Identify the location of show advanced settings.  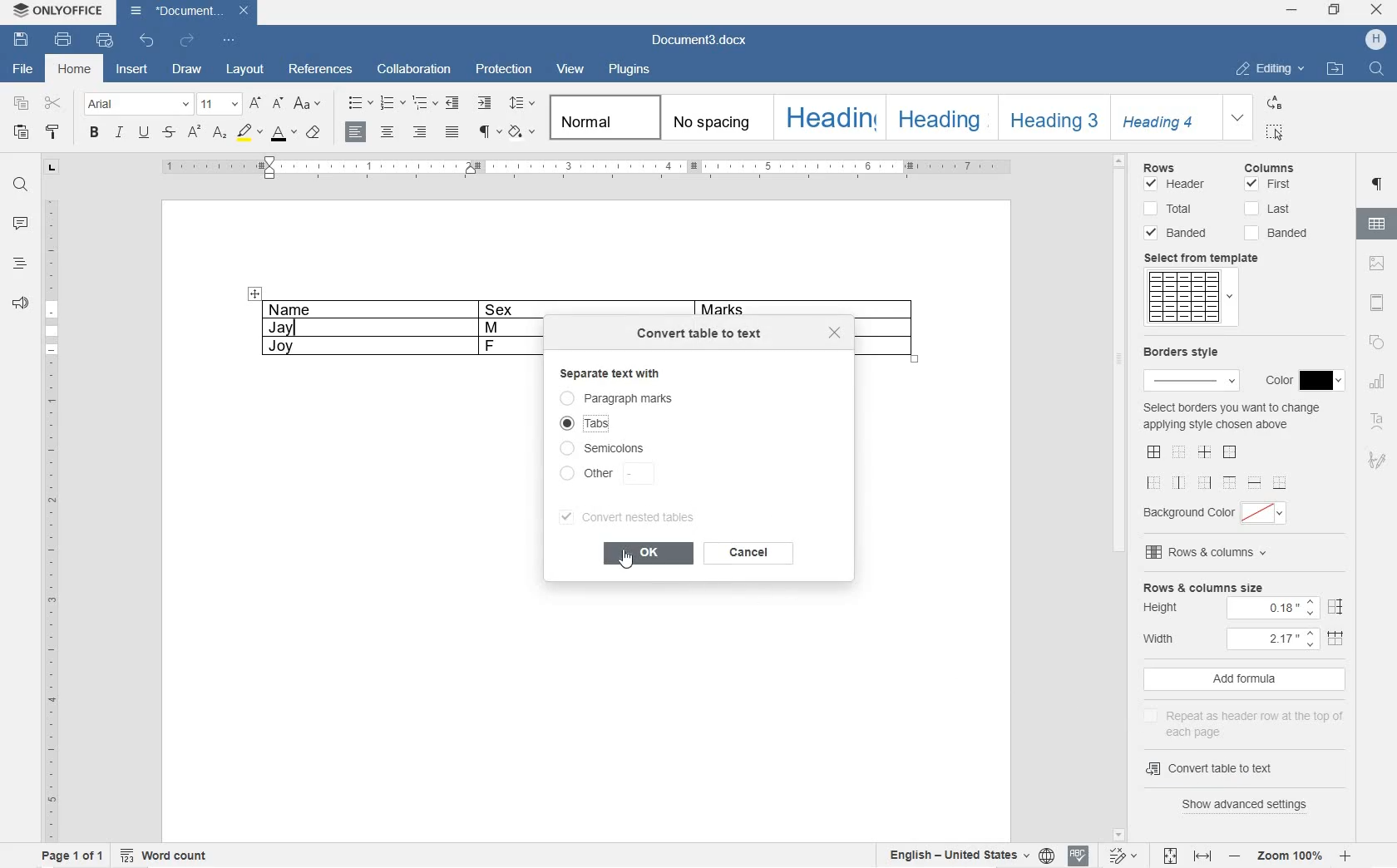
(1249, 806).